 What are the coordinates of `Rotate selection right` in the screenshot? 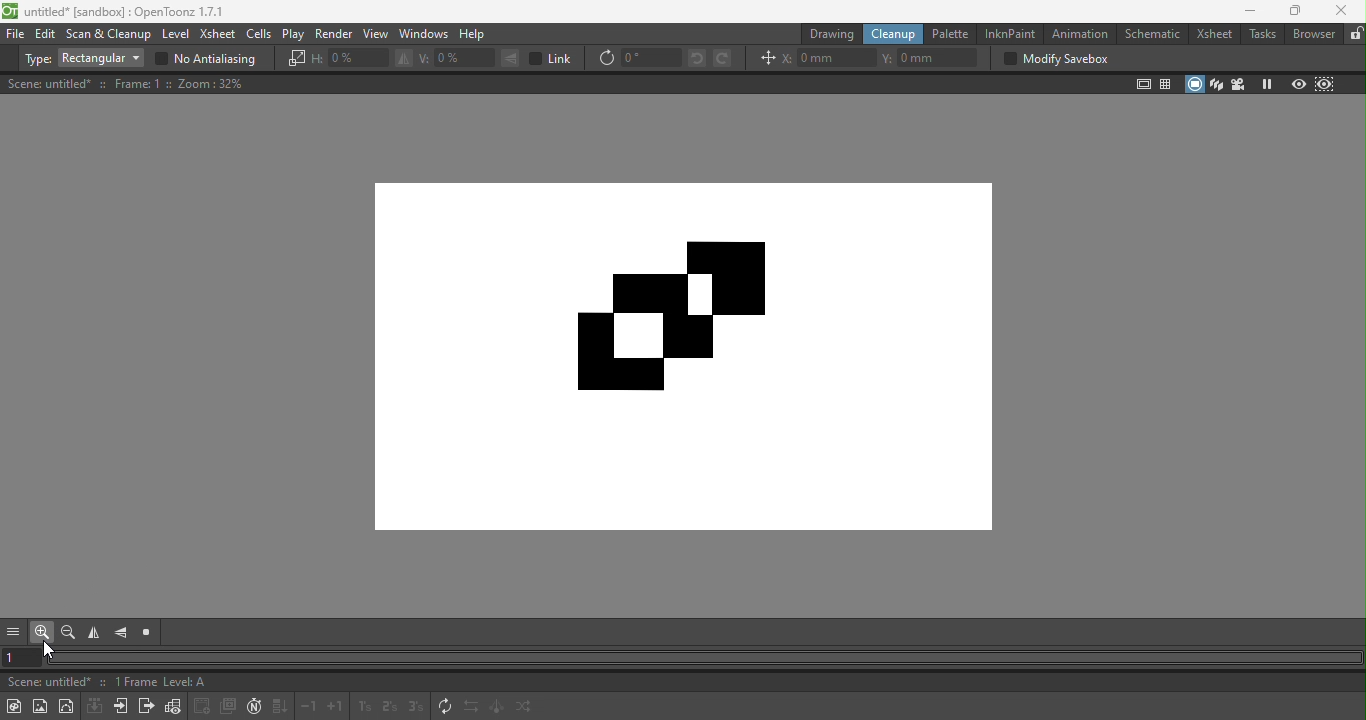 It's located at (722, 59).